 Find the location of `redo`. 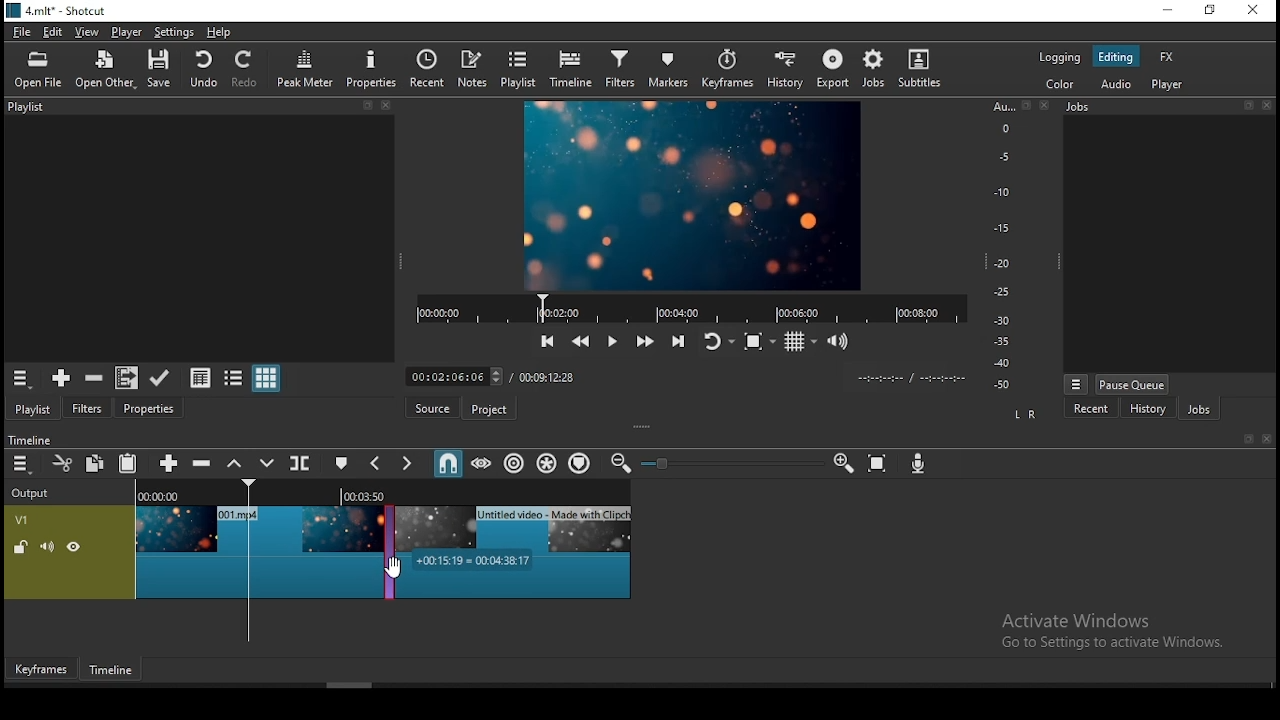

redo is located at coordinates (247, 69).